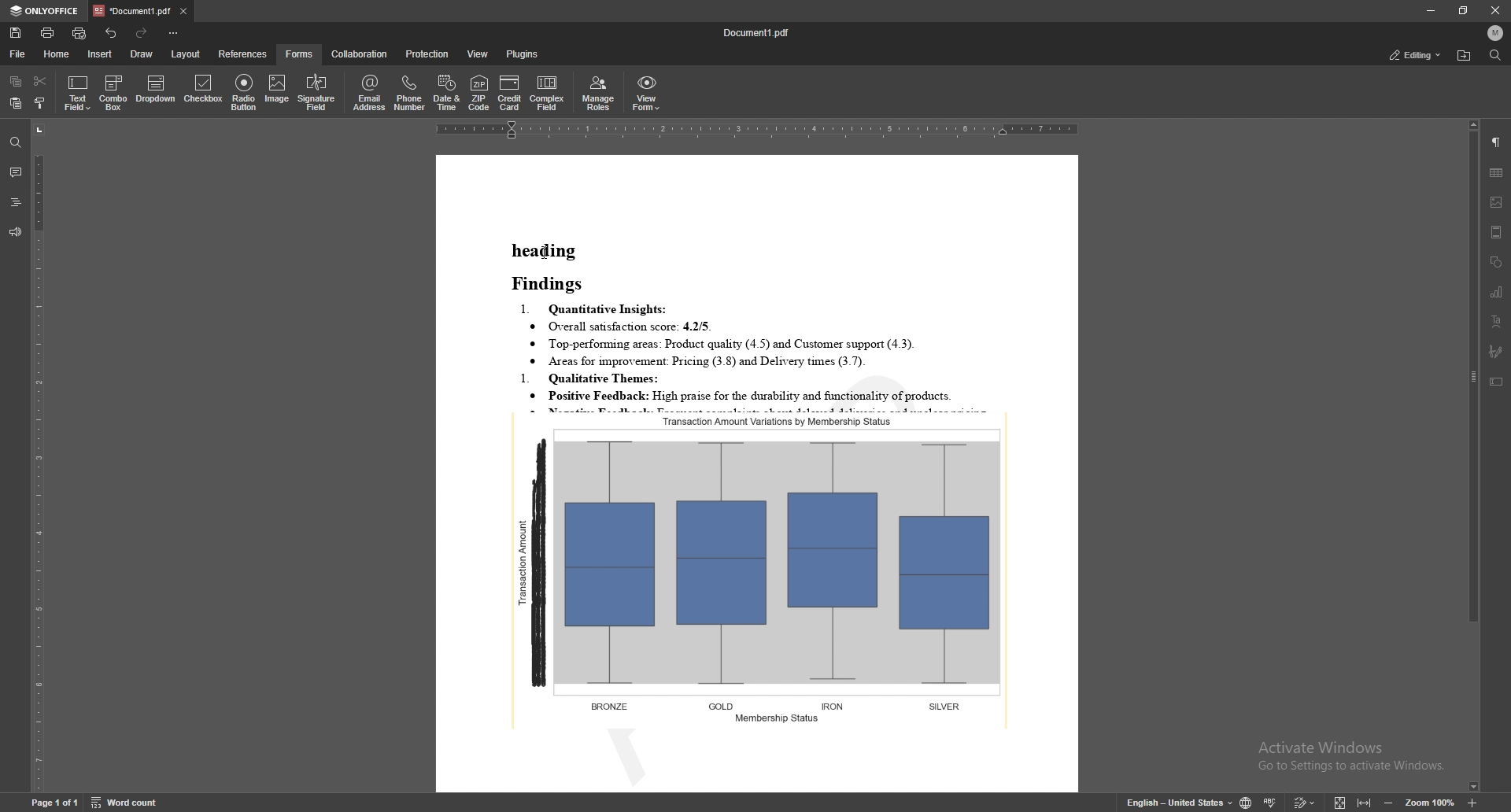 The width and height of the screenshot is (1511, 812). Describe the element at coordinates (48, 33) in the screenshot. I see `print` at that location.